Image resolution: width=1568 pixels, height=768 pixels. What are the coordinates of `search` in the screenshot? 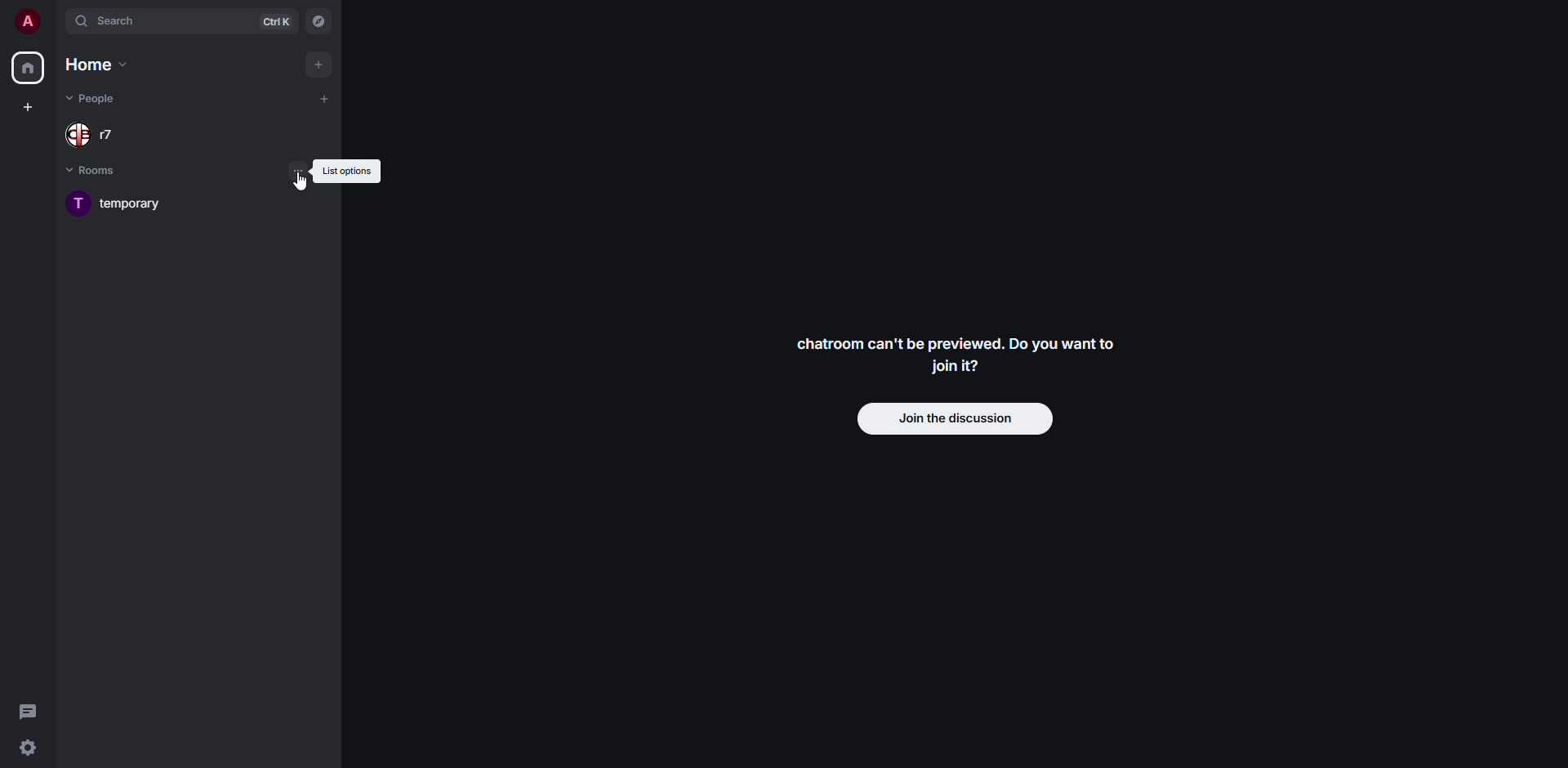 It's located at (114, 20).